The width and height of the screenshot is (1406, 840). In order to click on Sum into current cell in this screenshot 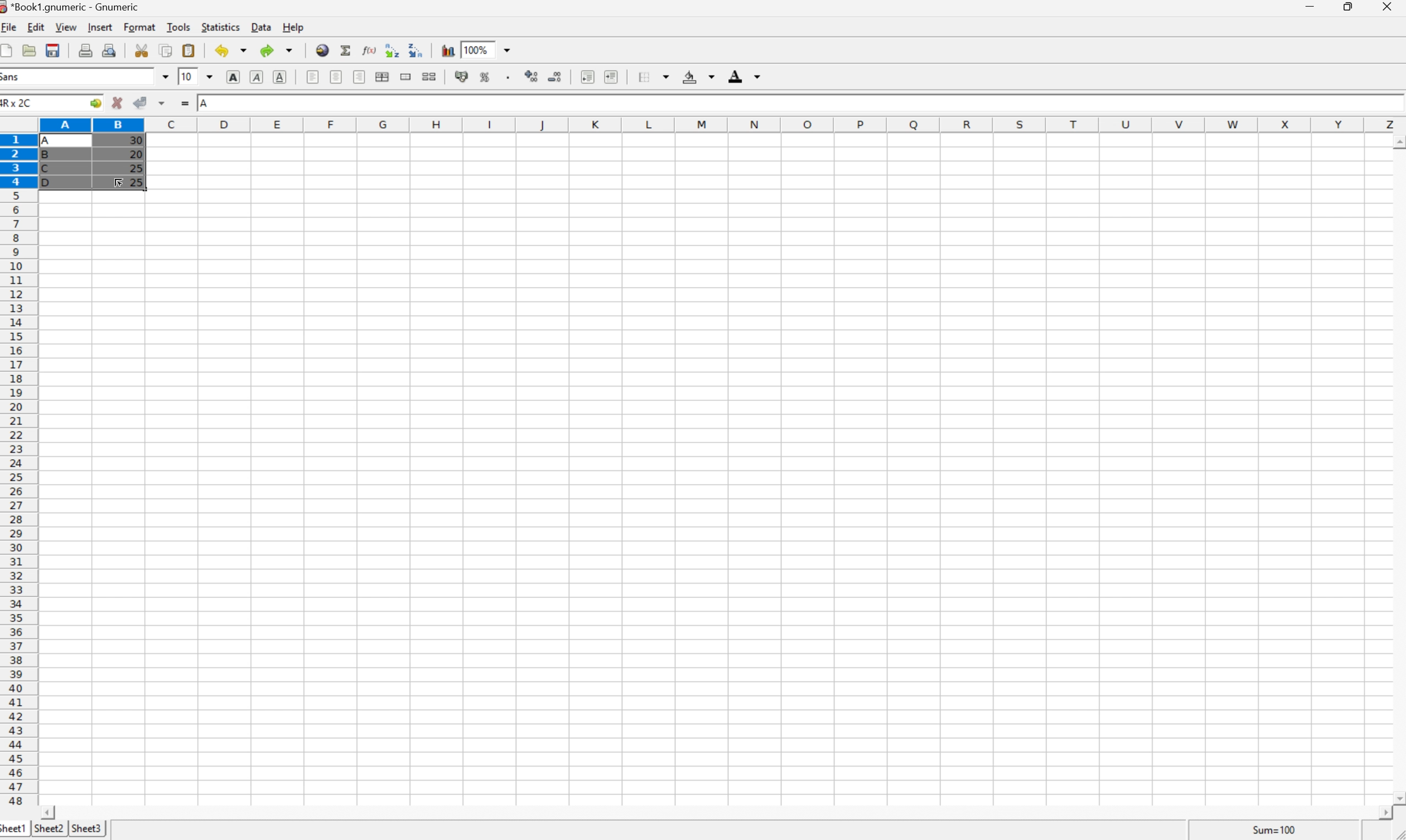, I will do `click(347, 49)`.